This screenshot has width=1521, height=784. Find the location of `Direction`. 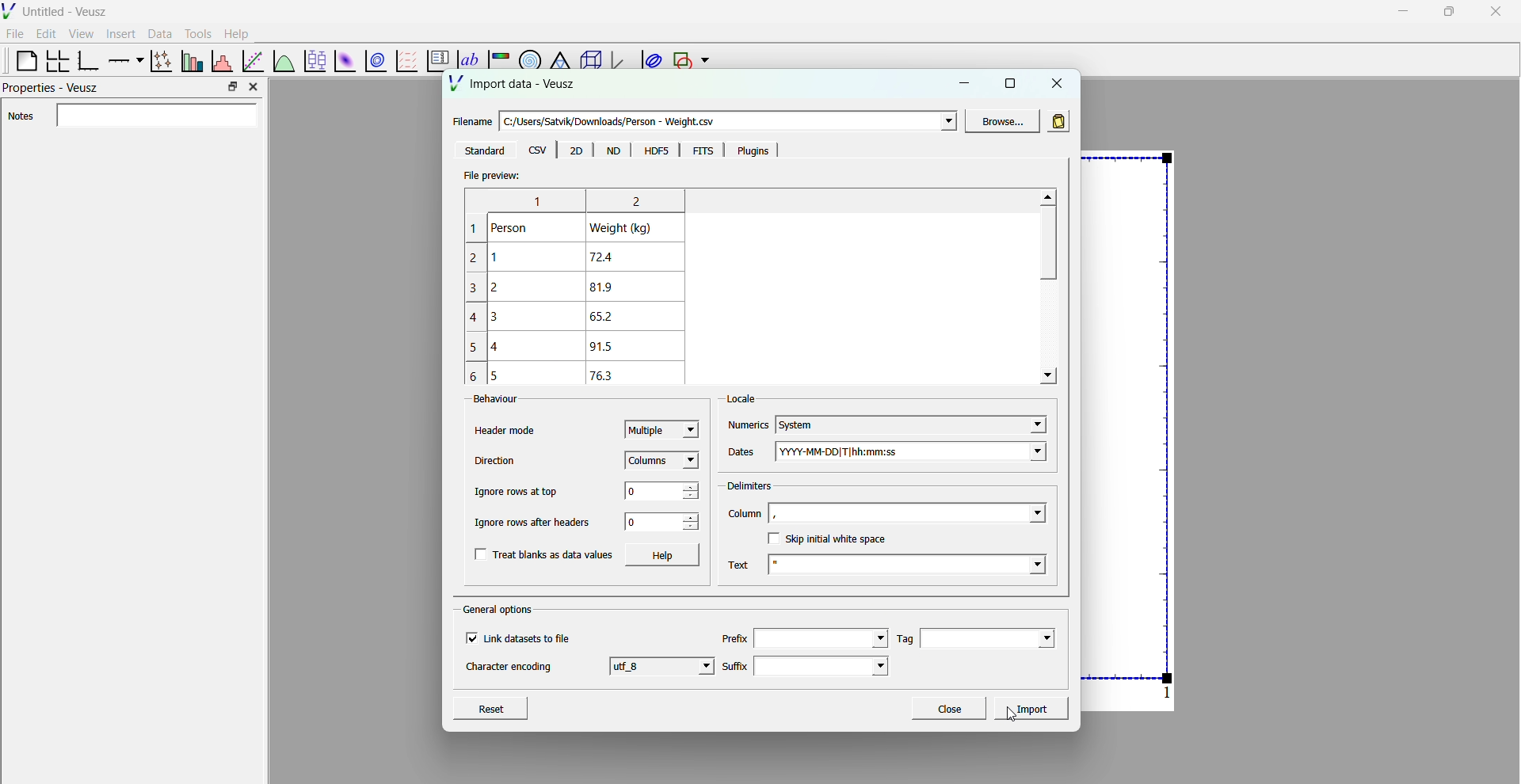

Direction is located at coordinates (497, 461).